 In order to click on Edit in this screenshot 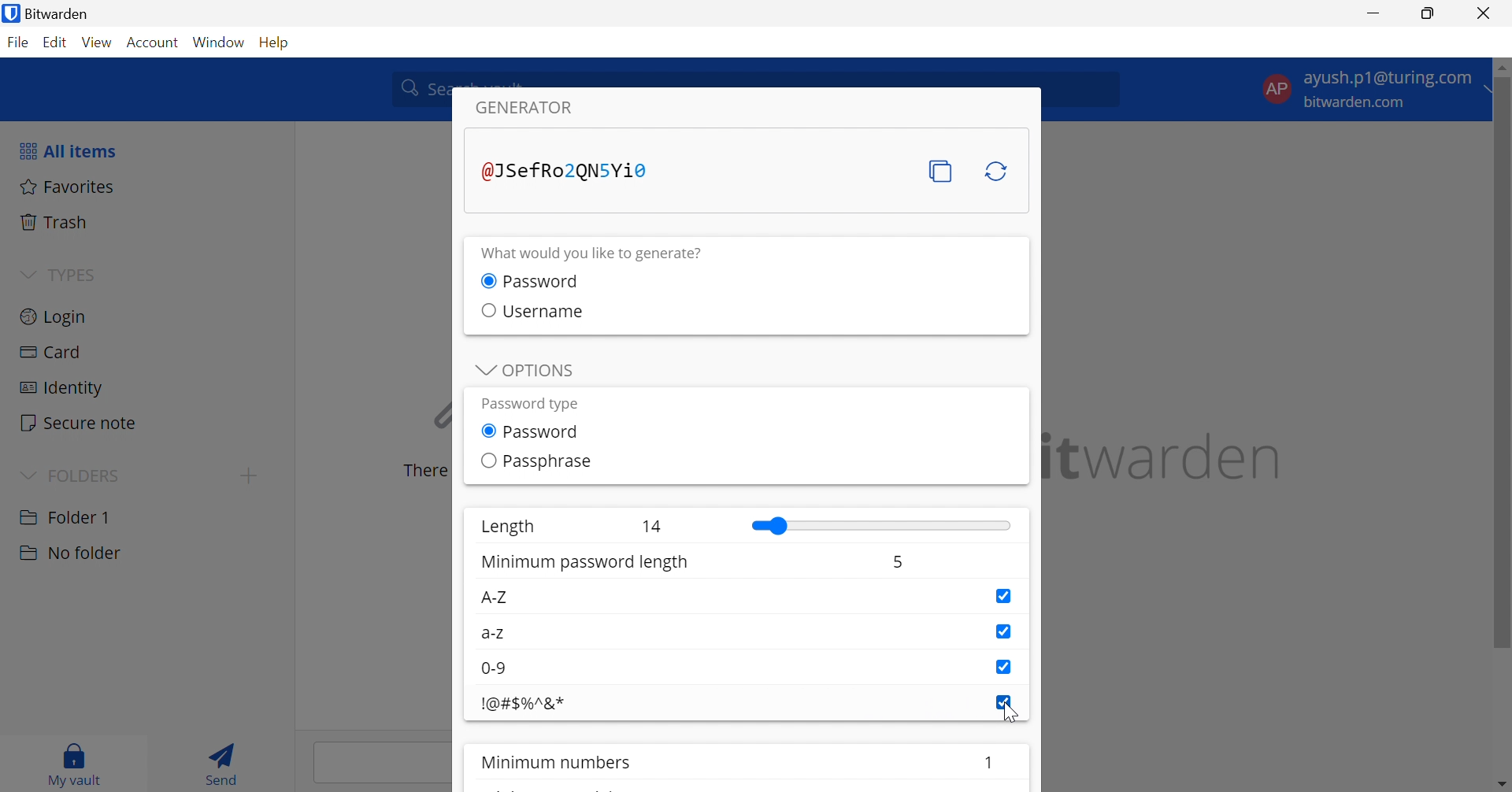, I will do `click(57, 43)`.